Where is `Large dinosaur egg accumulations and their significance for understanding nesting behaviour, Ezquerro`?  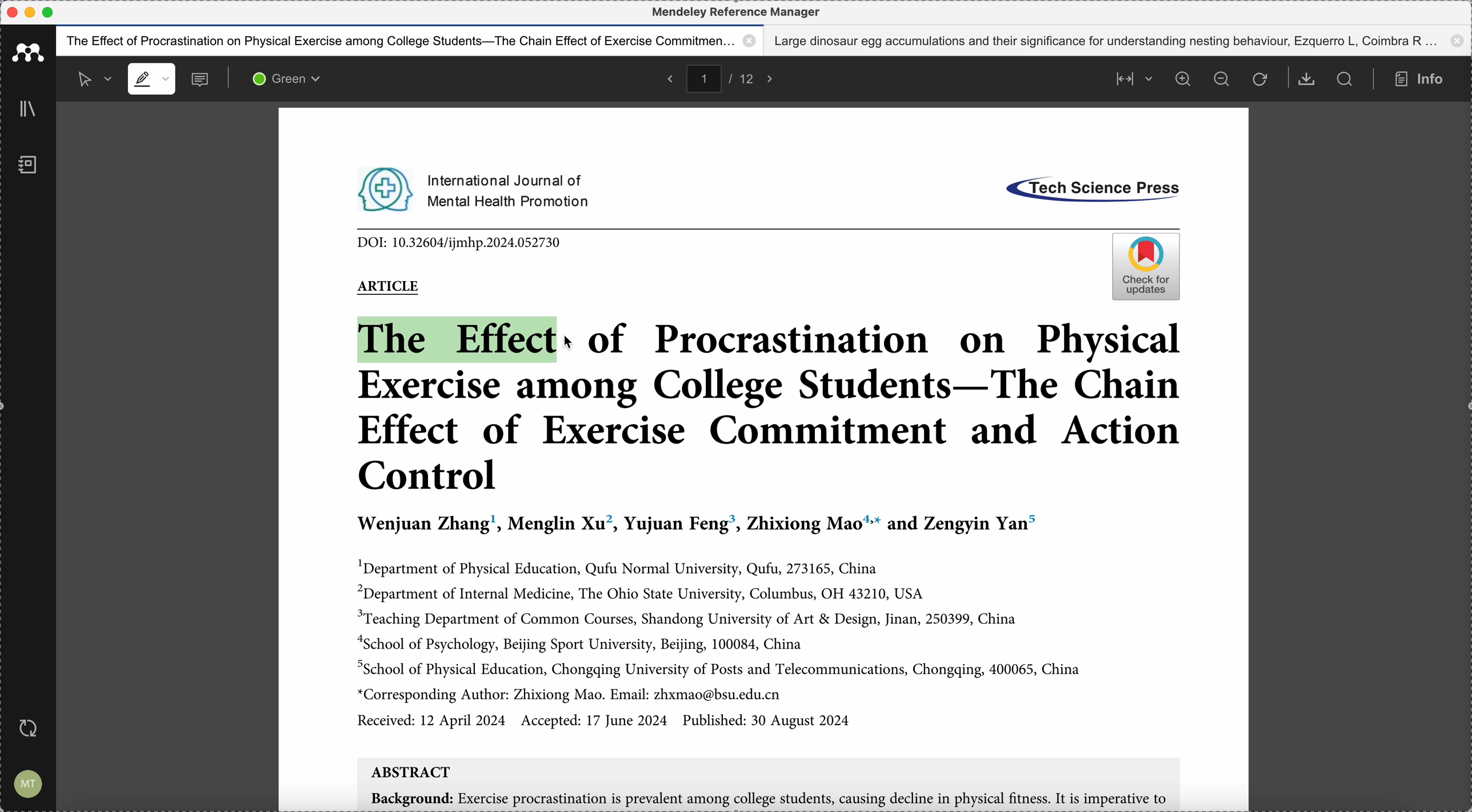
Large dinosaur egg accumulations and their significance for understanding nesting behaviour, Ezquerro is located at coordinates (1121, 41).